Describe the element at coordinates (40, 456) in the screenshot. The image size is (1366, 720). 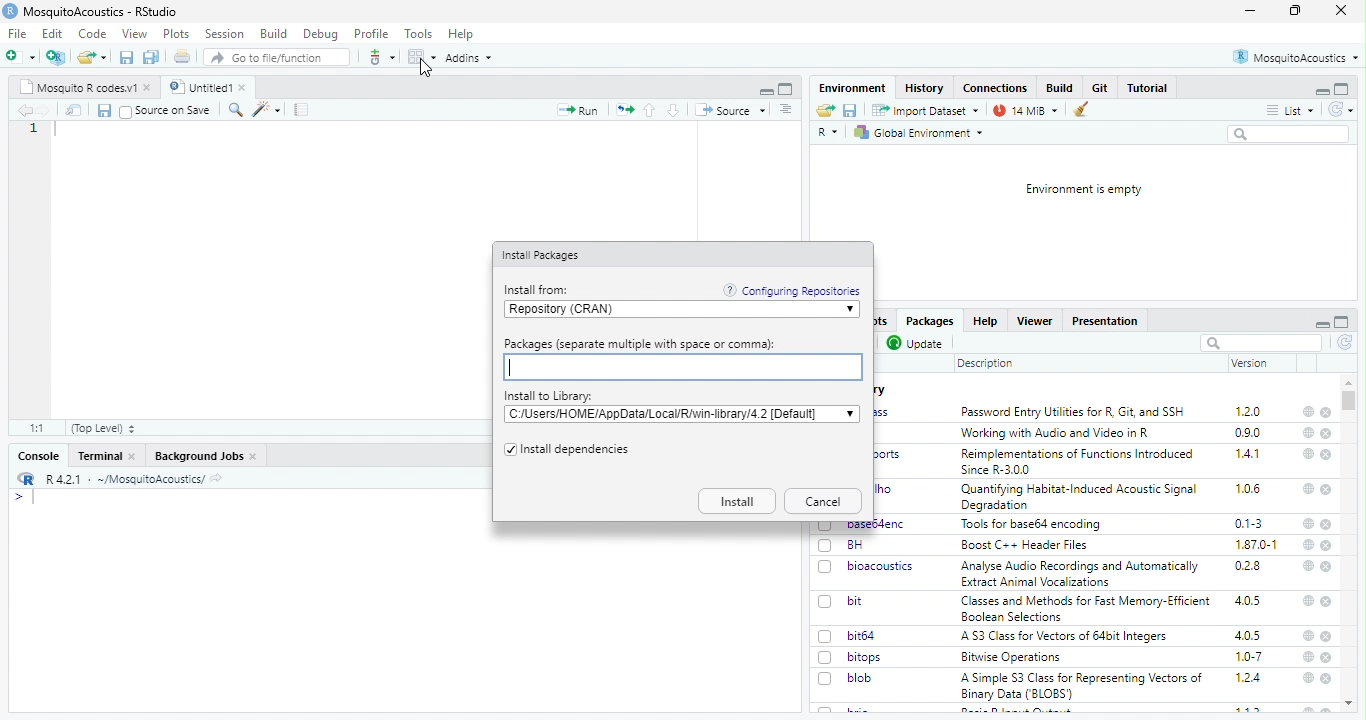
I see `Console` at that location.